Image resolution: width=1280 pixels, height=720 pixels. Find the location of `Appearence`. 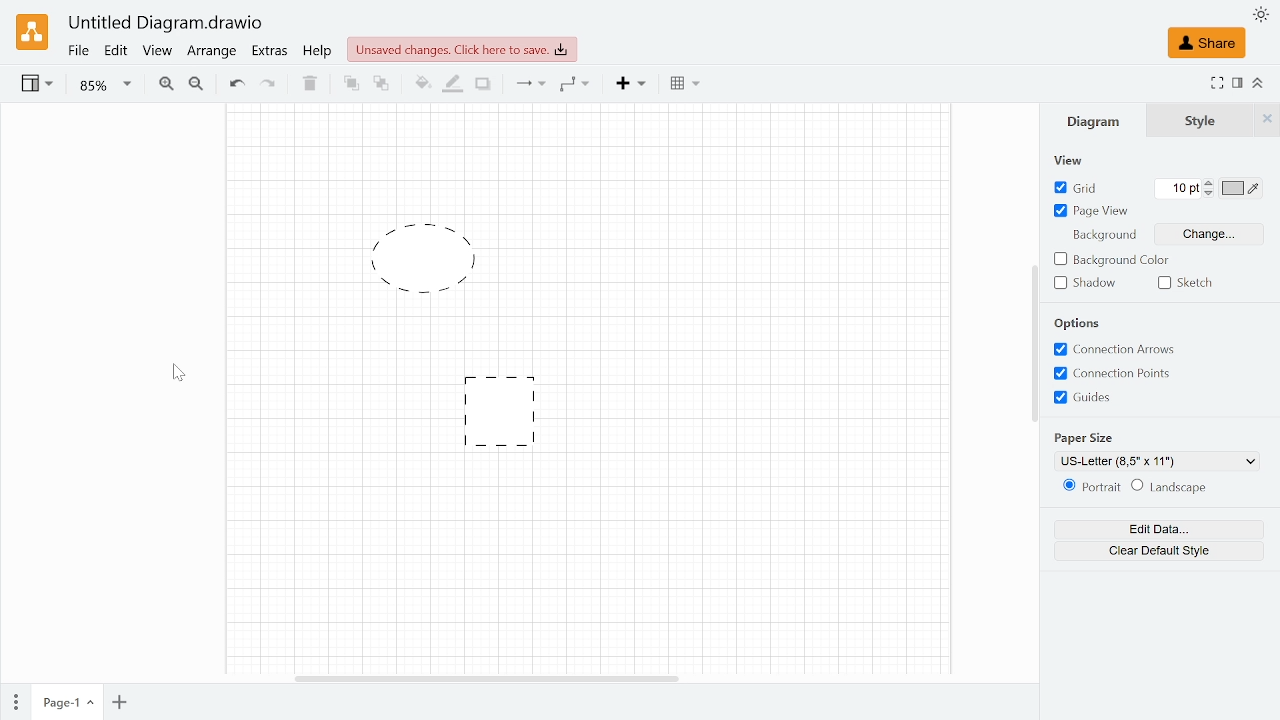

Appearence is located at coordinates (1260, 14).